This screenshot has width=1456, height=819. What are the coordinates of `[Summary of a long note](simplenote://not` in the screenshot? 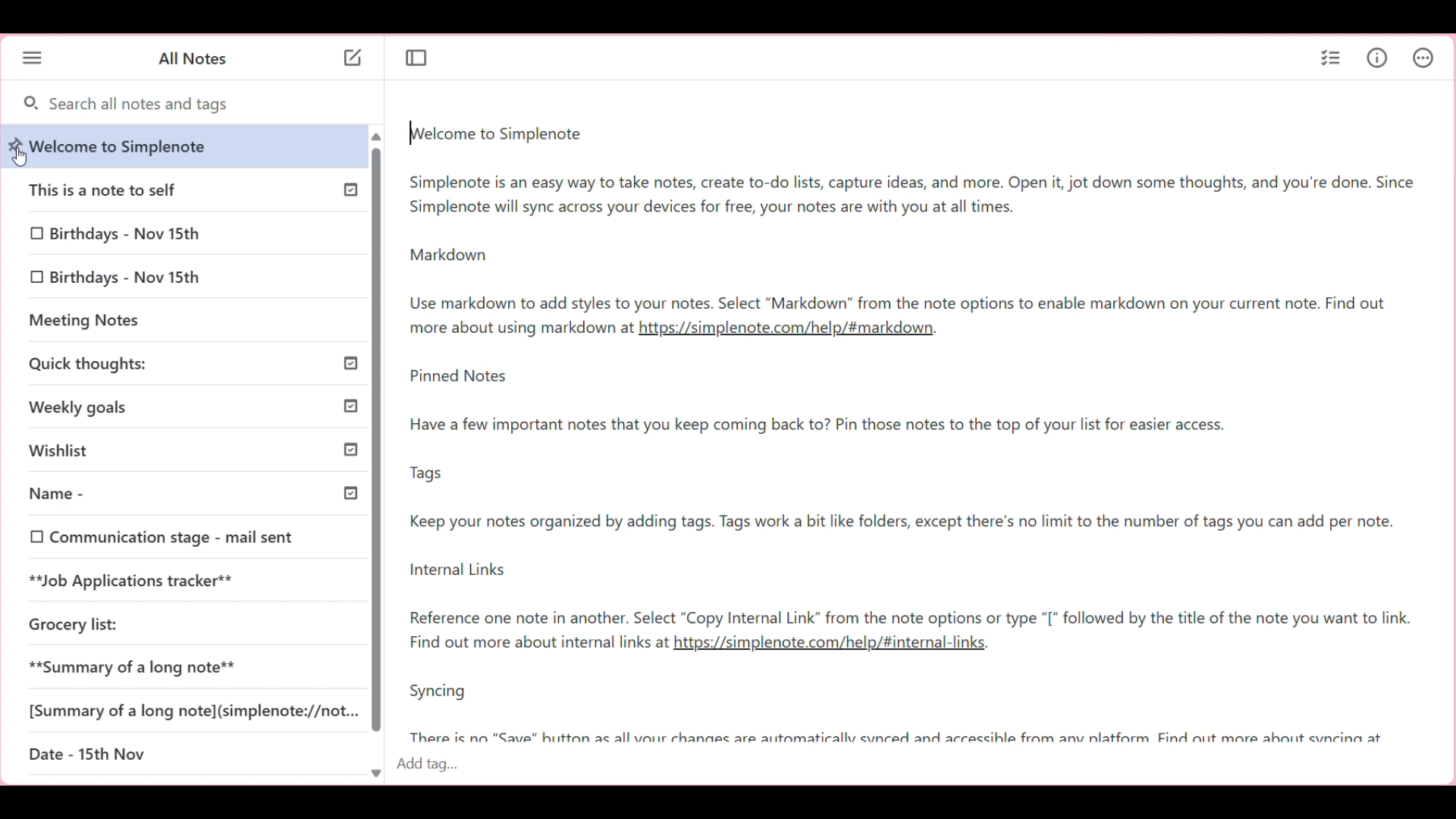 It's located at (193, 708).